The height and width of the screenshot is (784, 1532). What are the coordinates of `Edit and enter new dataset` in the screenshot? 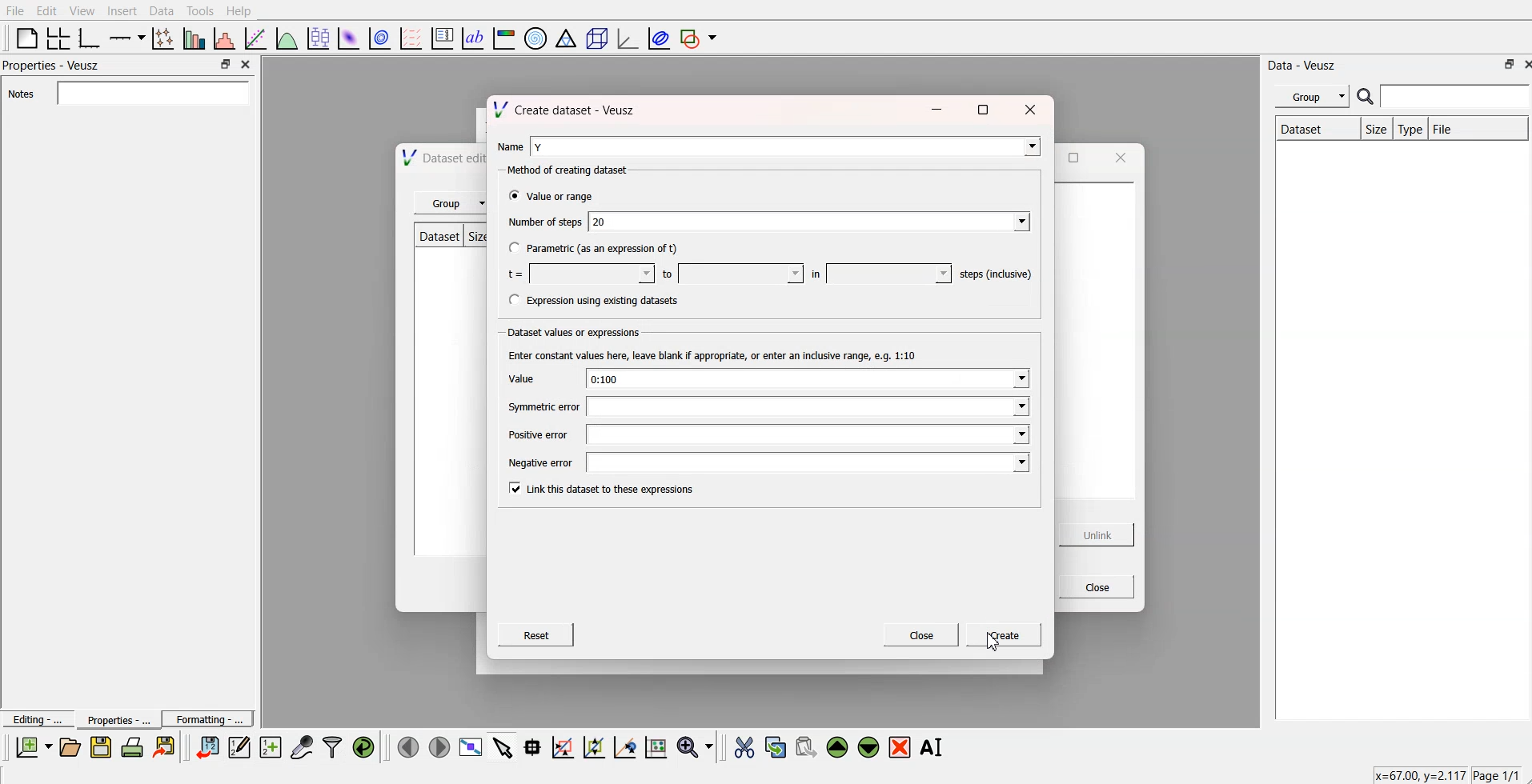 It's located at (237, 747).